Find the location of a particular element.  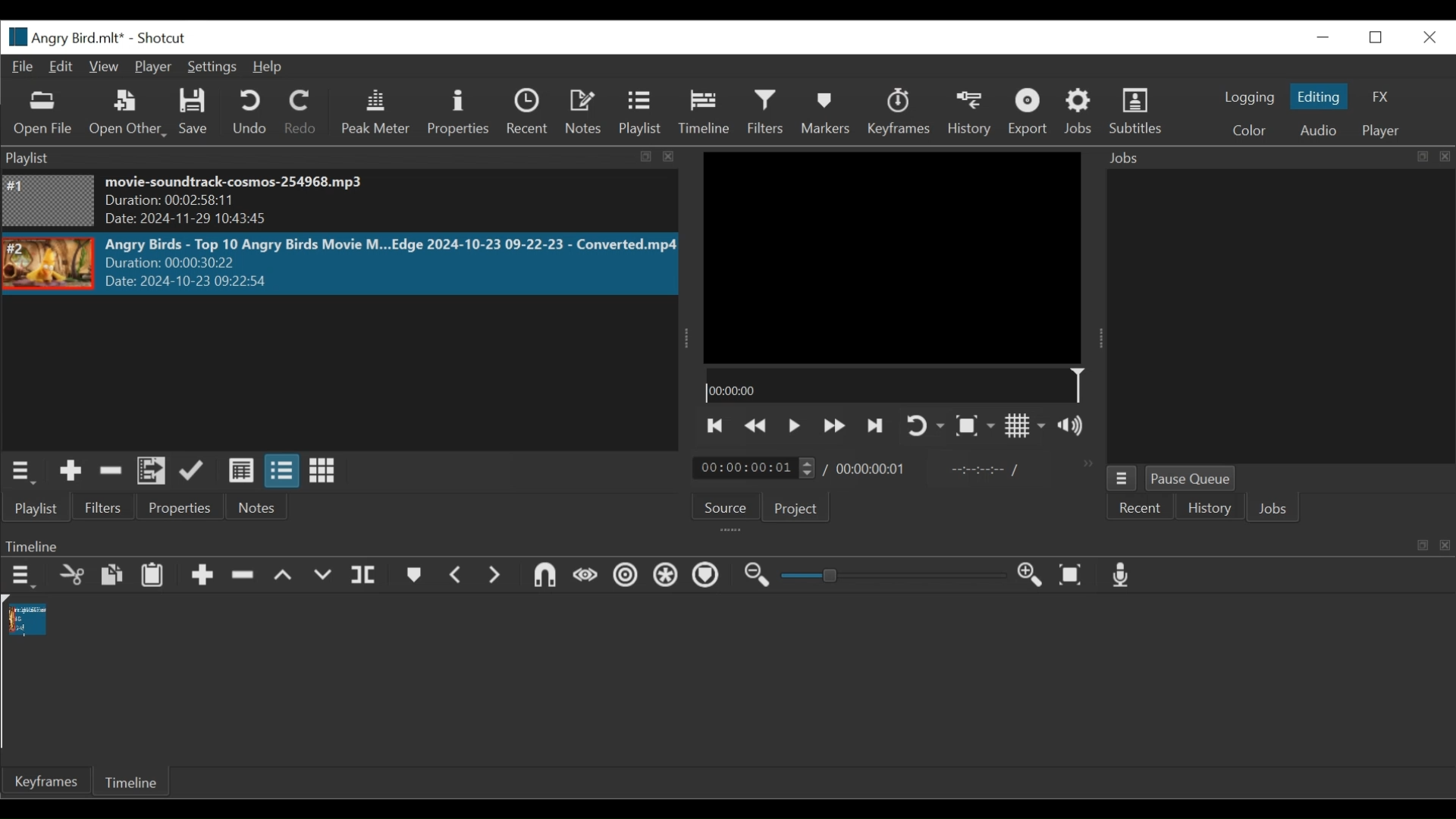

View as files is located at coordinates (281, 472).